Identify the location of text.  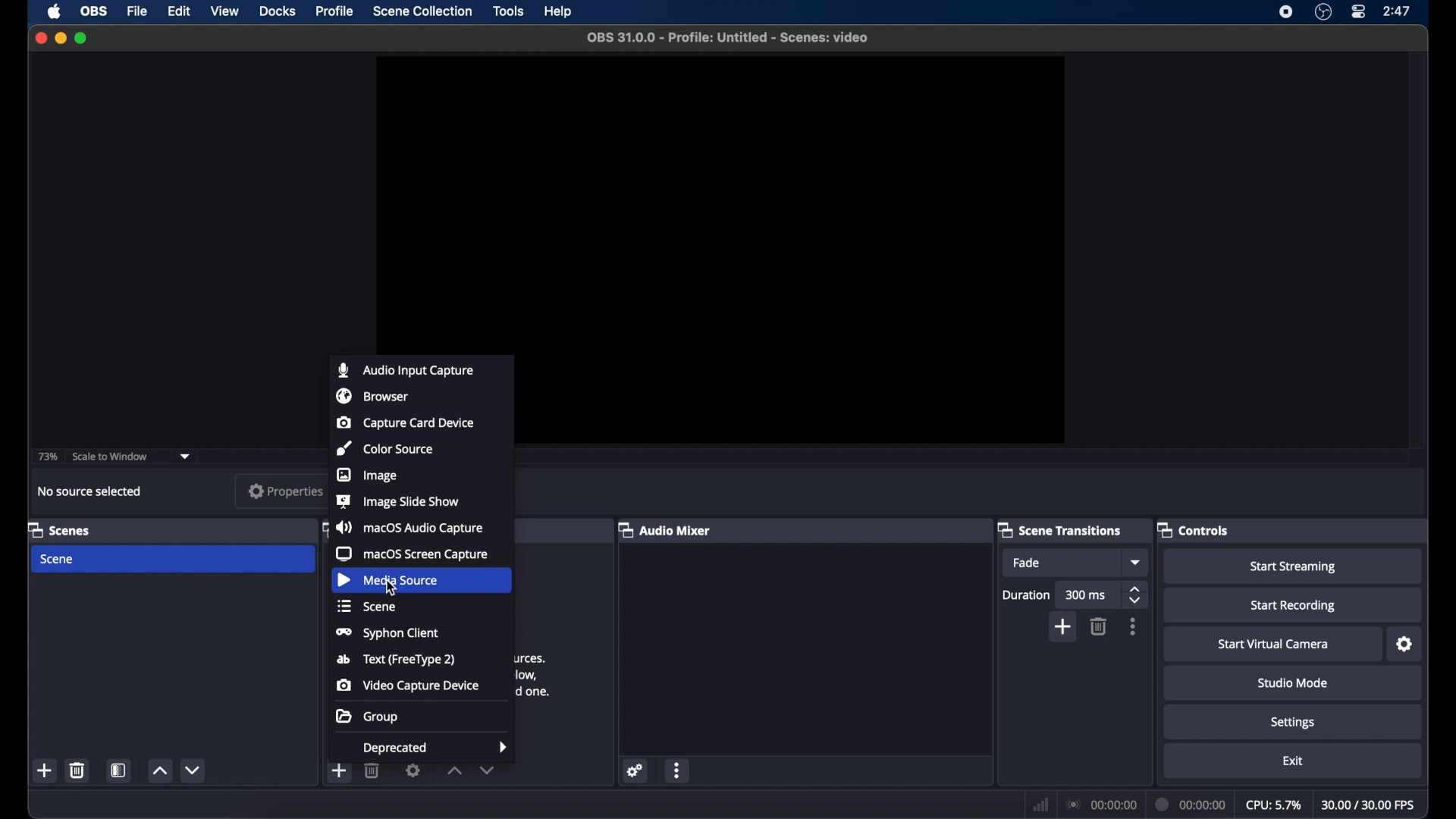
(397, 660).